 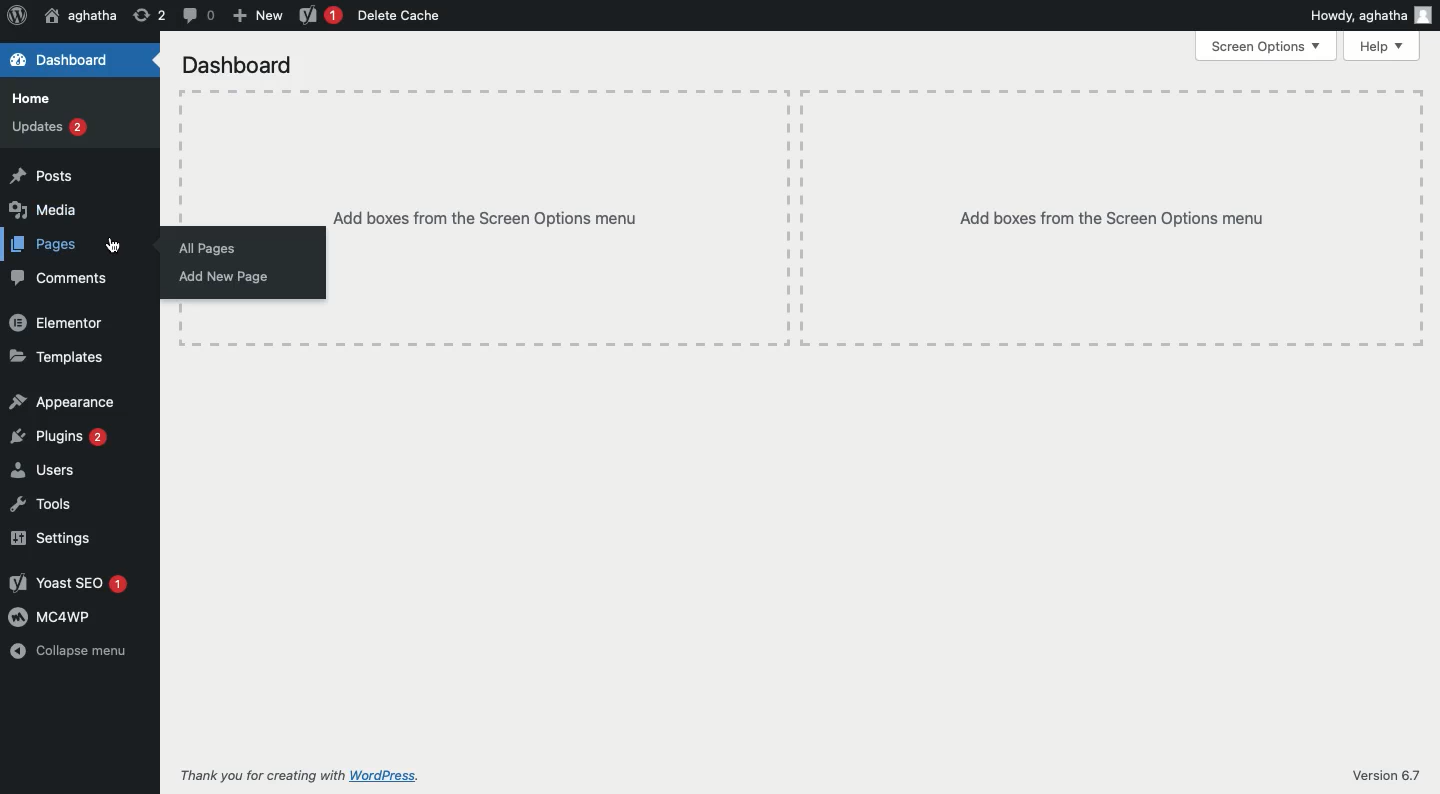 What do you see at coordinates (65, 537) in the screenshot?
I see `Settings` at bounding box center [65, 537].